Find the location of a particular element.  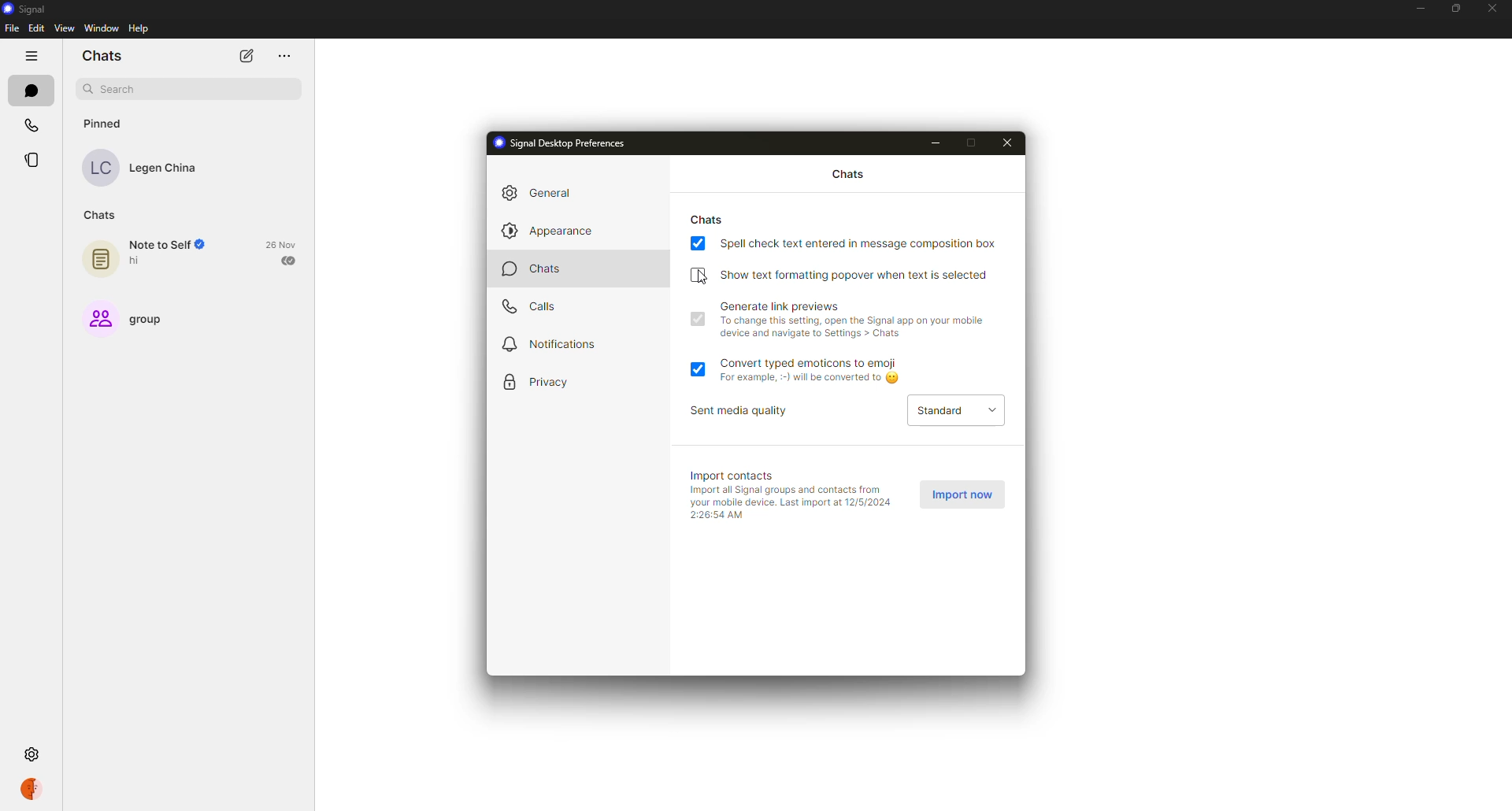

sent media quality is located at coordinates (747, 411).